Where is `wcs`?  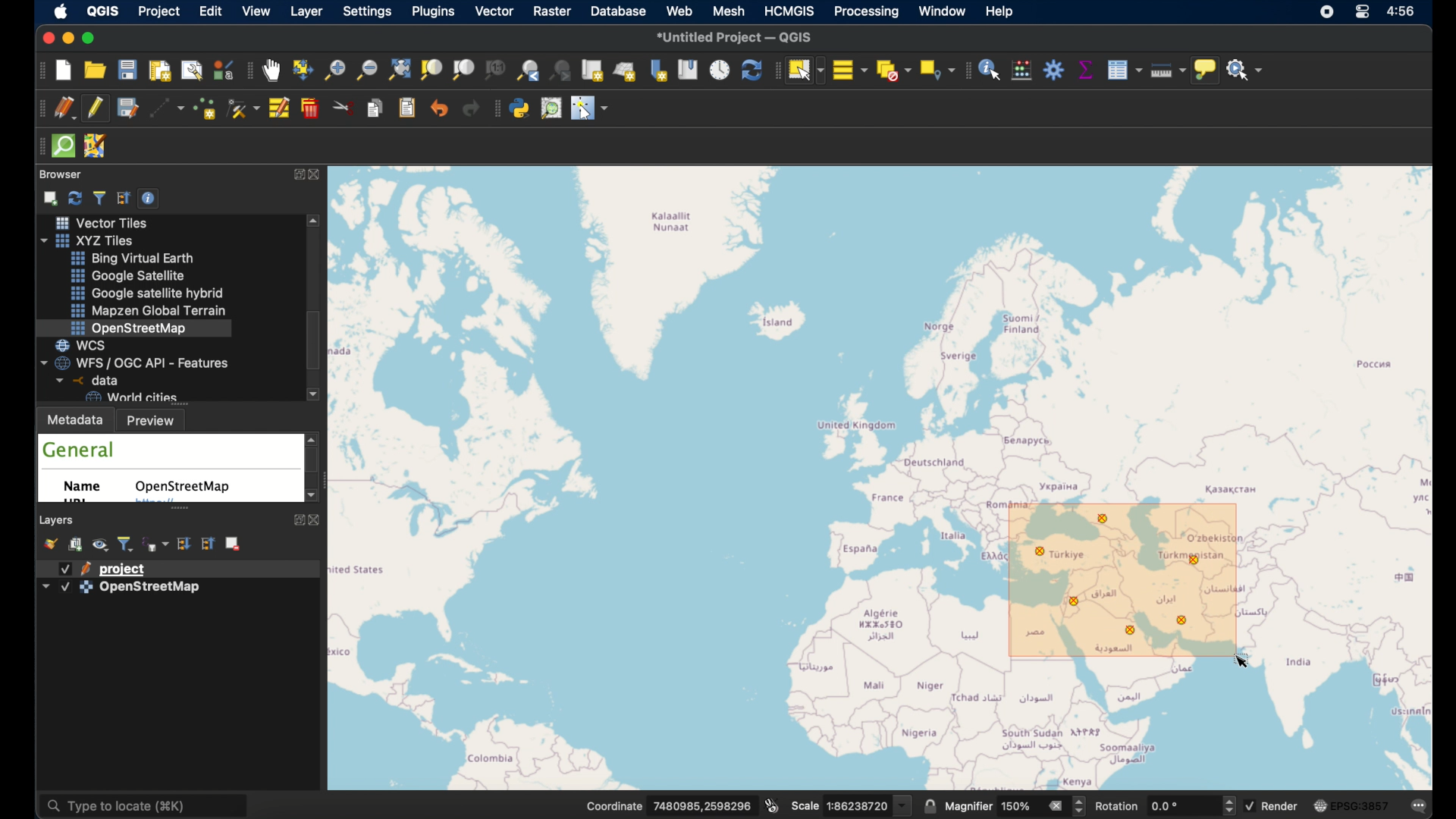 wcs is located at coordinates (88, 344).